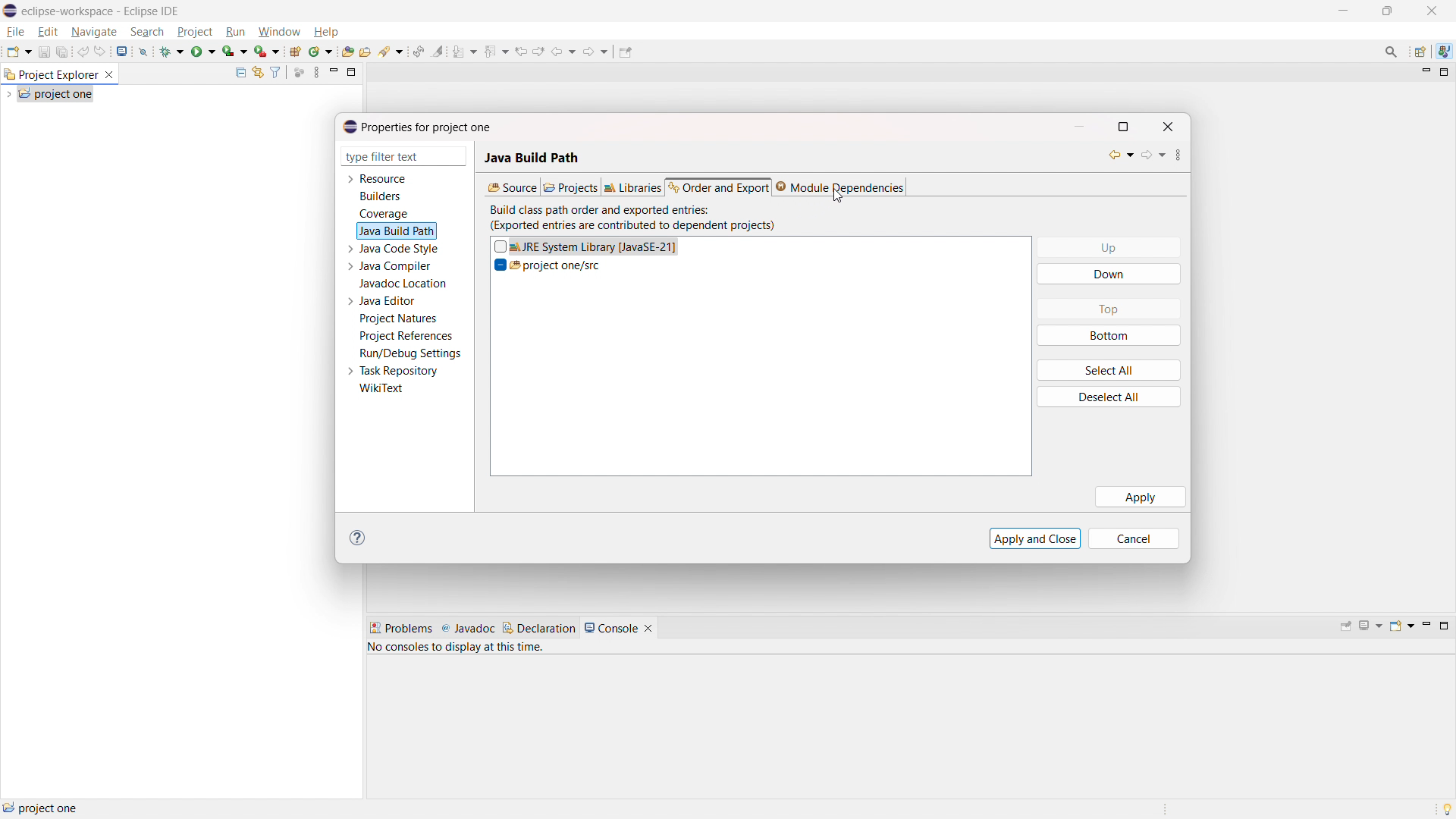 The width and height of the screenshot is (1456, 819). What do you see at coordinates (538, 49) in the screenshot?
I see `view next location` at bounding box center [538, 49].